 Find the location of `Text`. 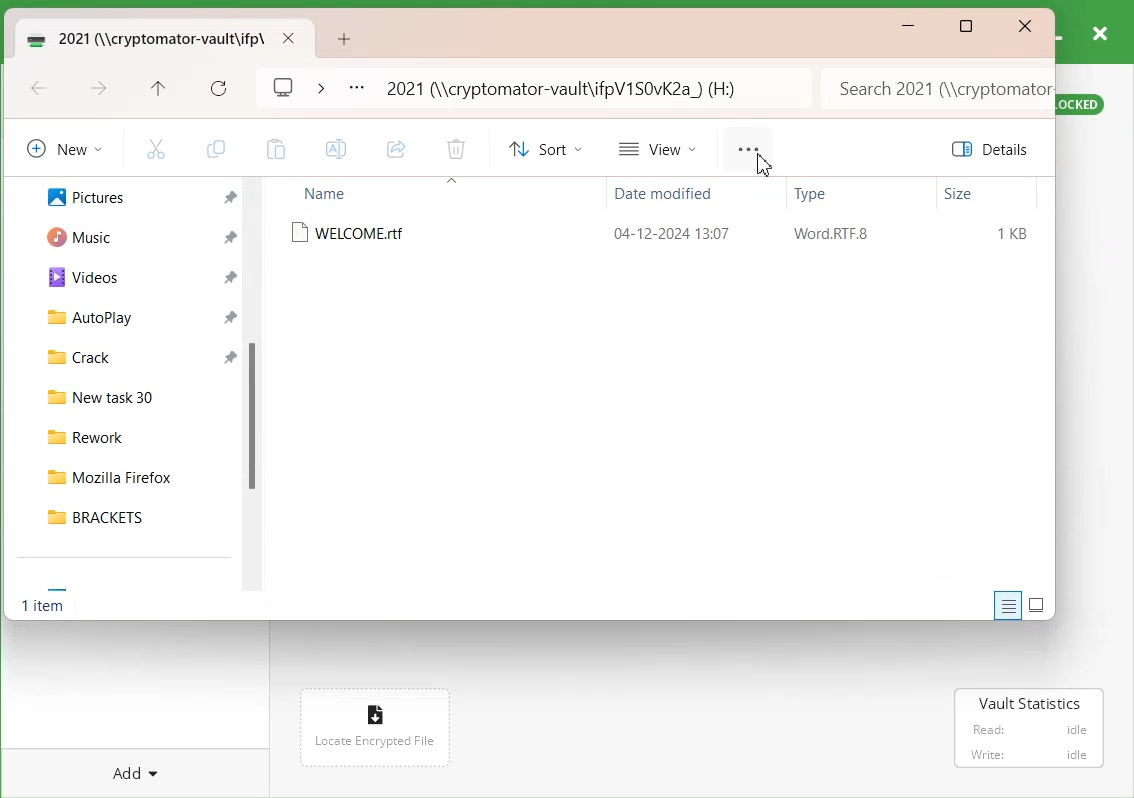

Text is located at coordinates (46, 608).